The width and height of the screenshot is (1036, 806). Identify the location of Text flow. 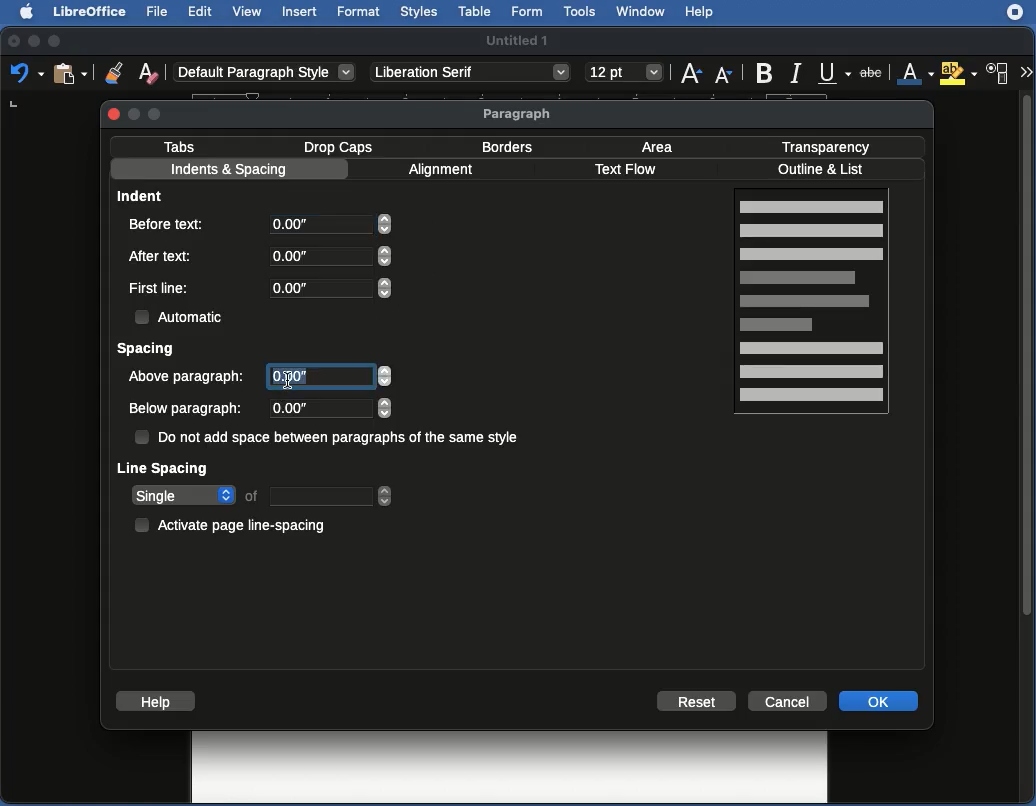
(625, 171).